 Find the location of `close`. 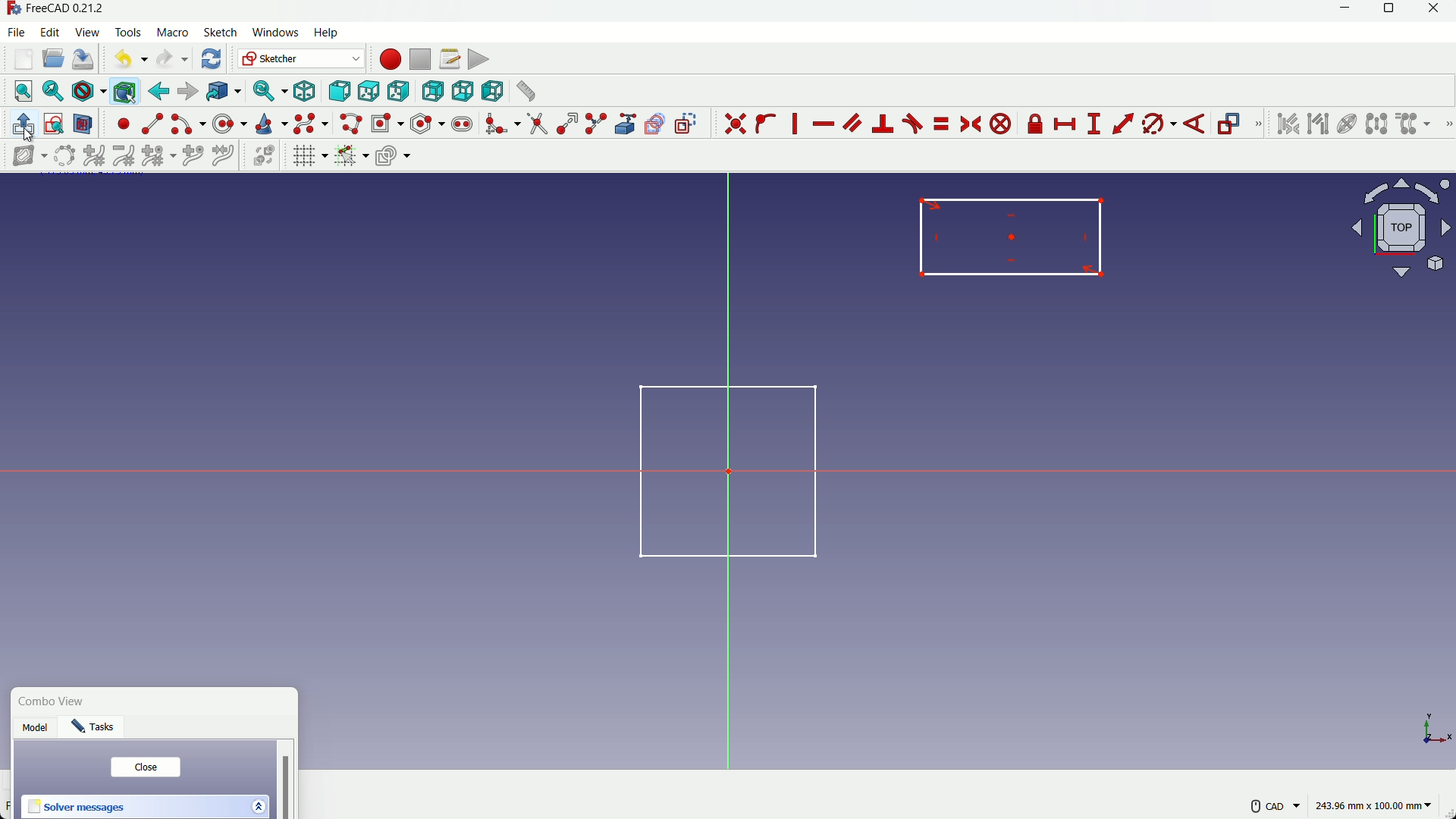

close is located at coordinates (145, 767).